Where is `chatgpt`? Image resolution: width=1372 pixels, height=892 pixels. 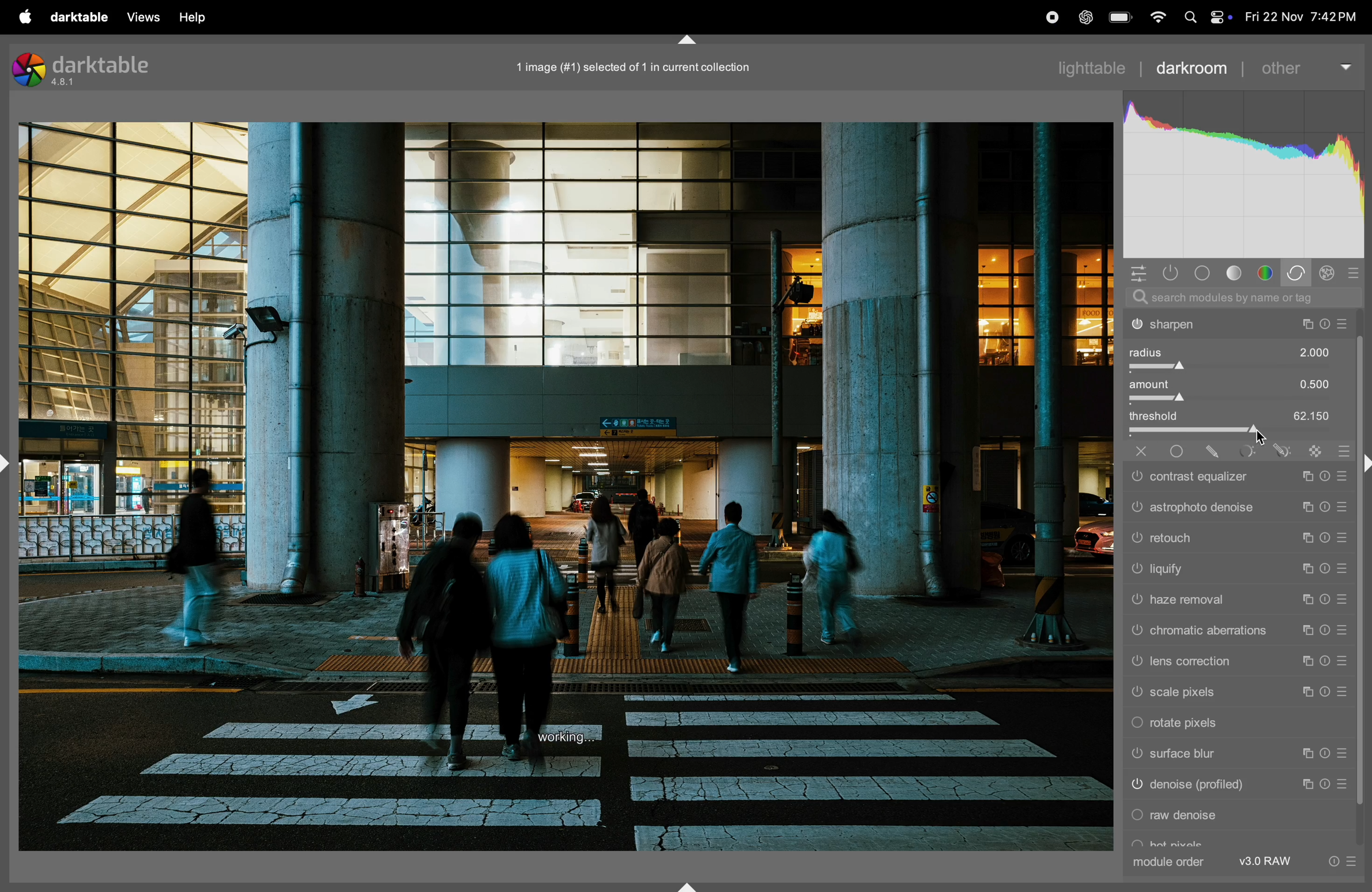 chatgpt is located at coordinates (1084, 17).